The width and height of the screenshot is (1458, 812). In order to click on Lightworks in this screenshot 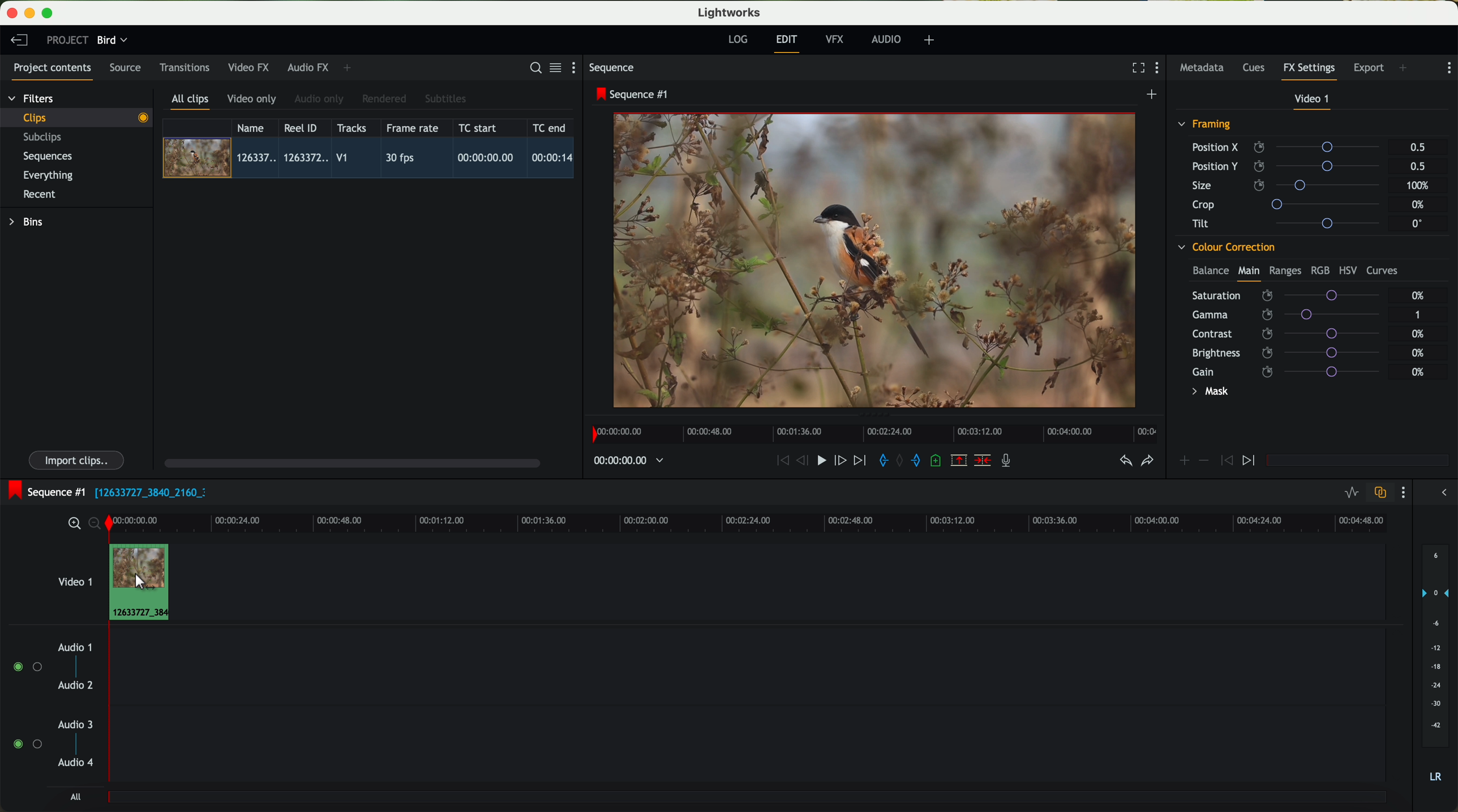, I will do `click(730, 12)`.